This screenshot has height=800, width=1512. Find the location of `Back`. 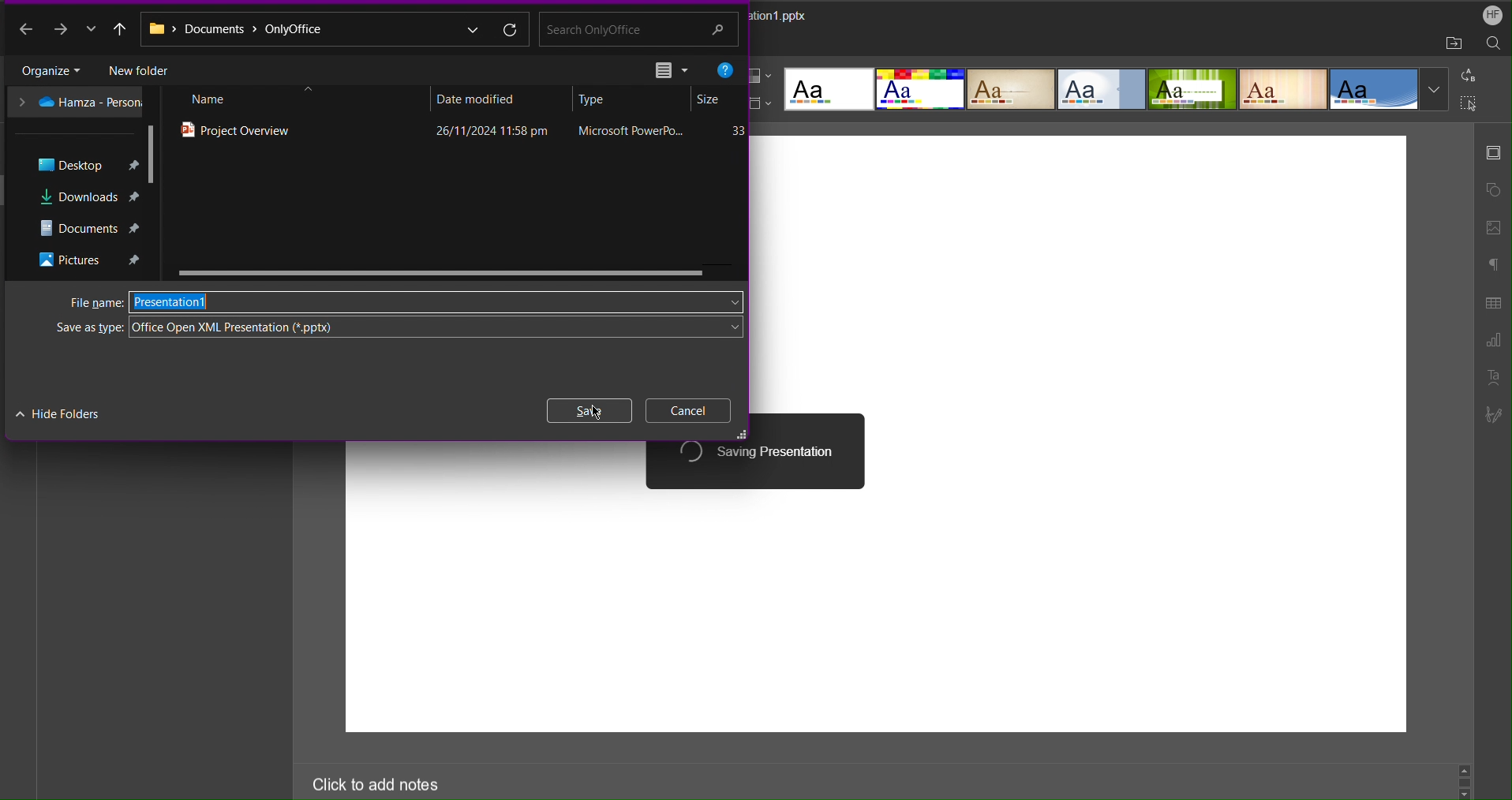

Back is located at coordinates (30, 28).